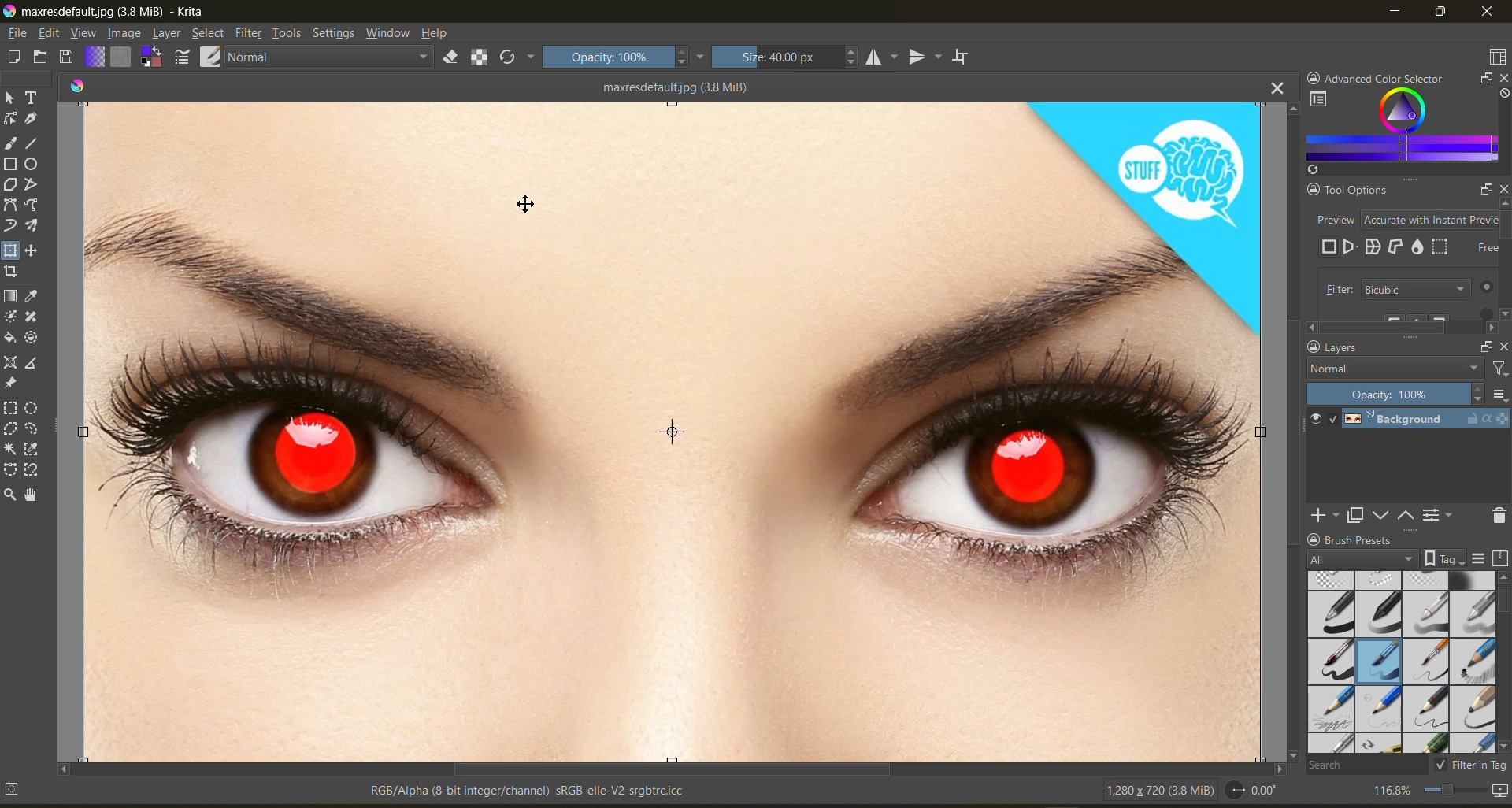 The image size is (1512, 808). What do you see at coordinates (86, 35) in the screenshot?
I see `view` at bounding box center [86, 35].